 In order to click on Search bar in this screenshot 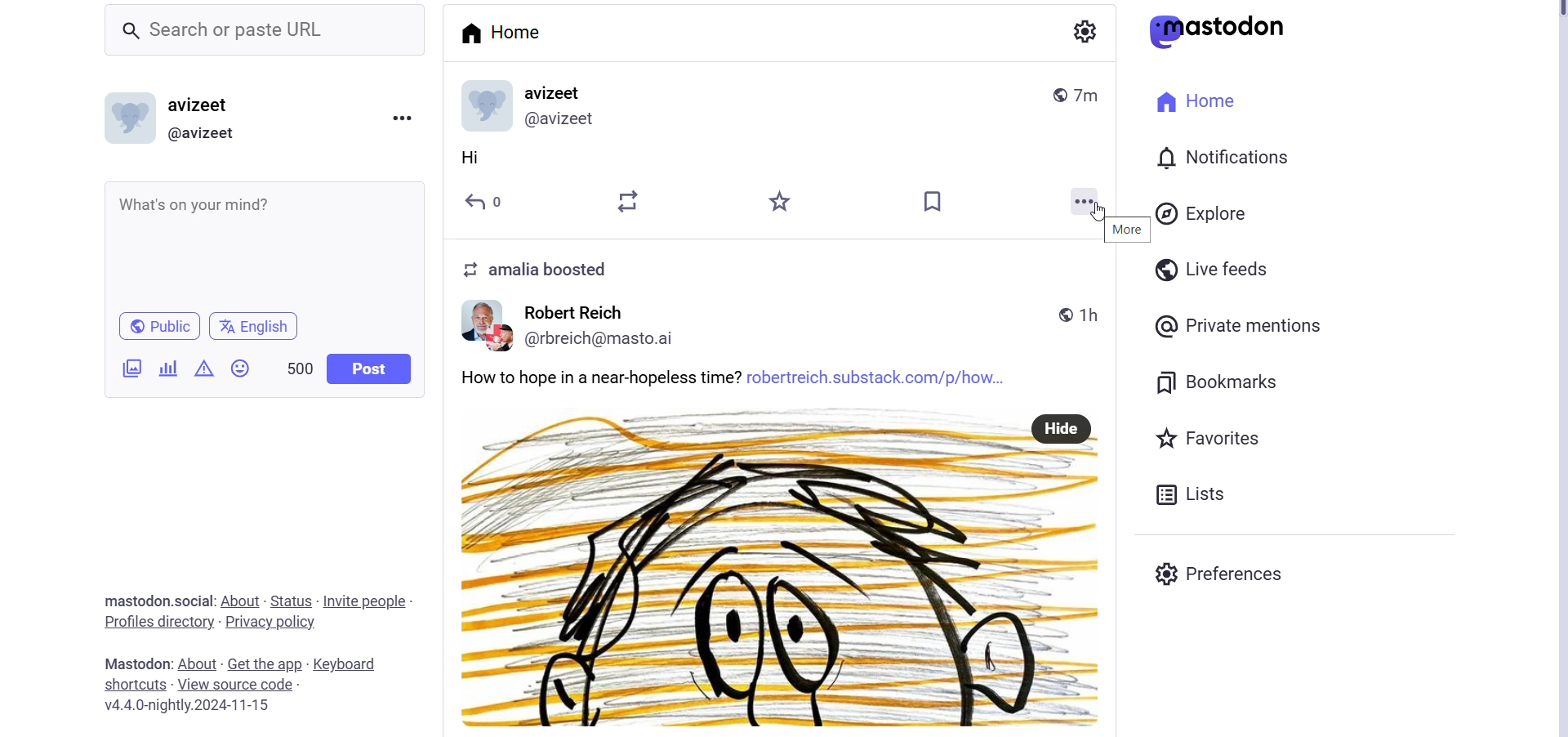, I will do `click(270, 35)`.